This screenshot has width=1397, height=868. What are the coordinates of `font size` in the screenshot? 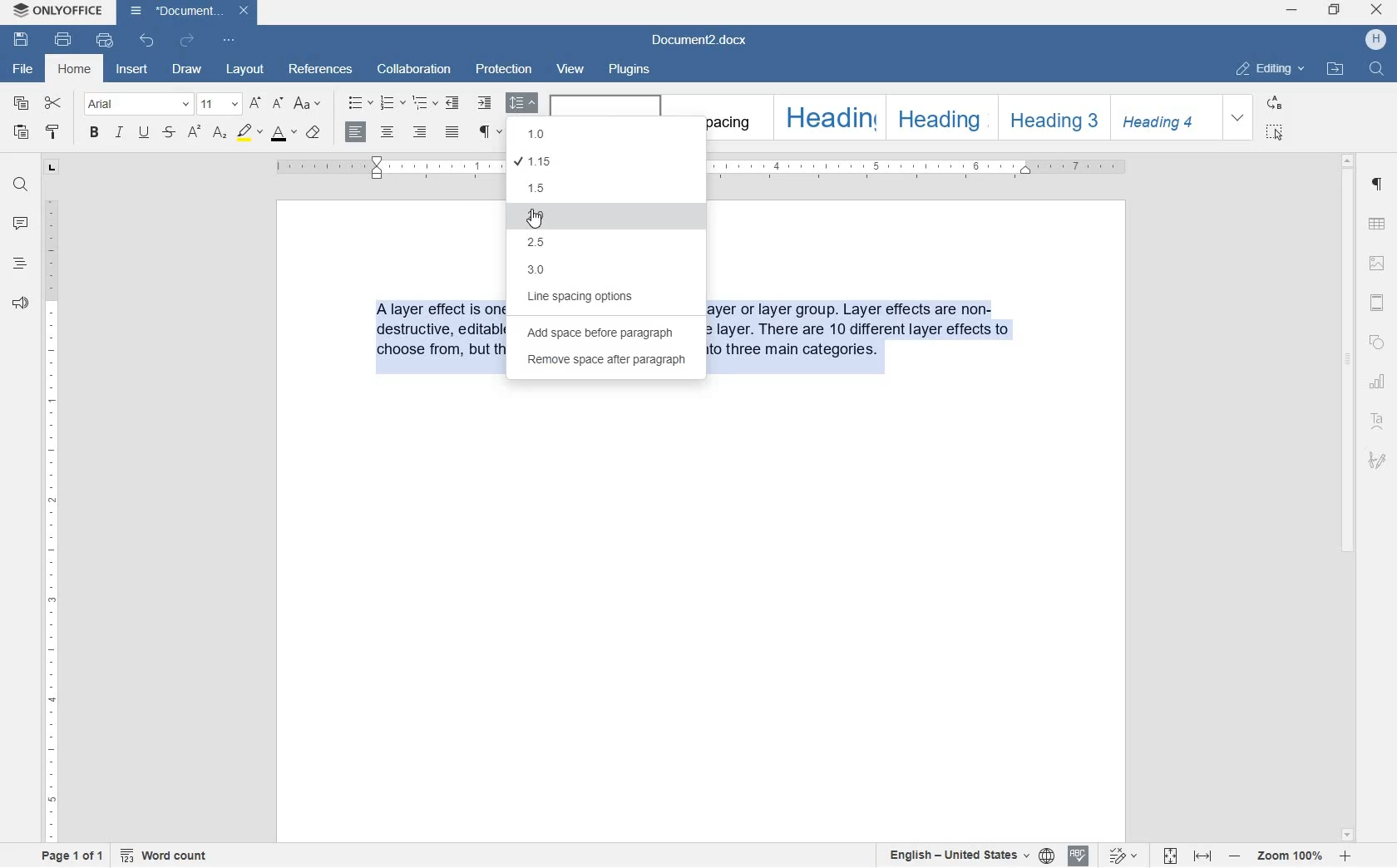 It's located at (220, 104).